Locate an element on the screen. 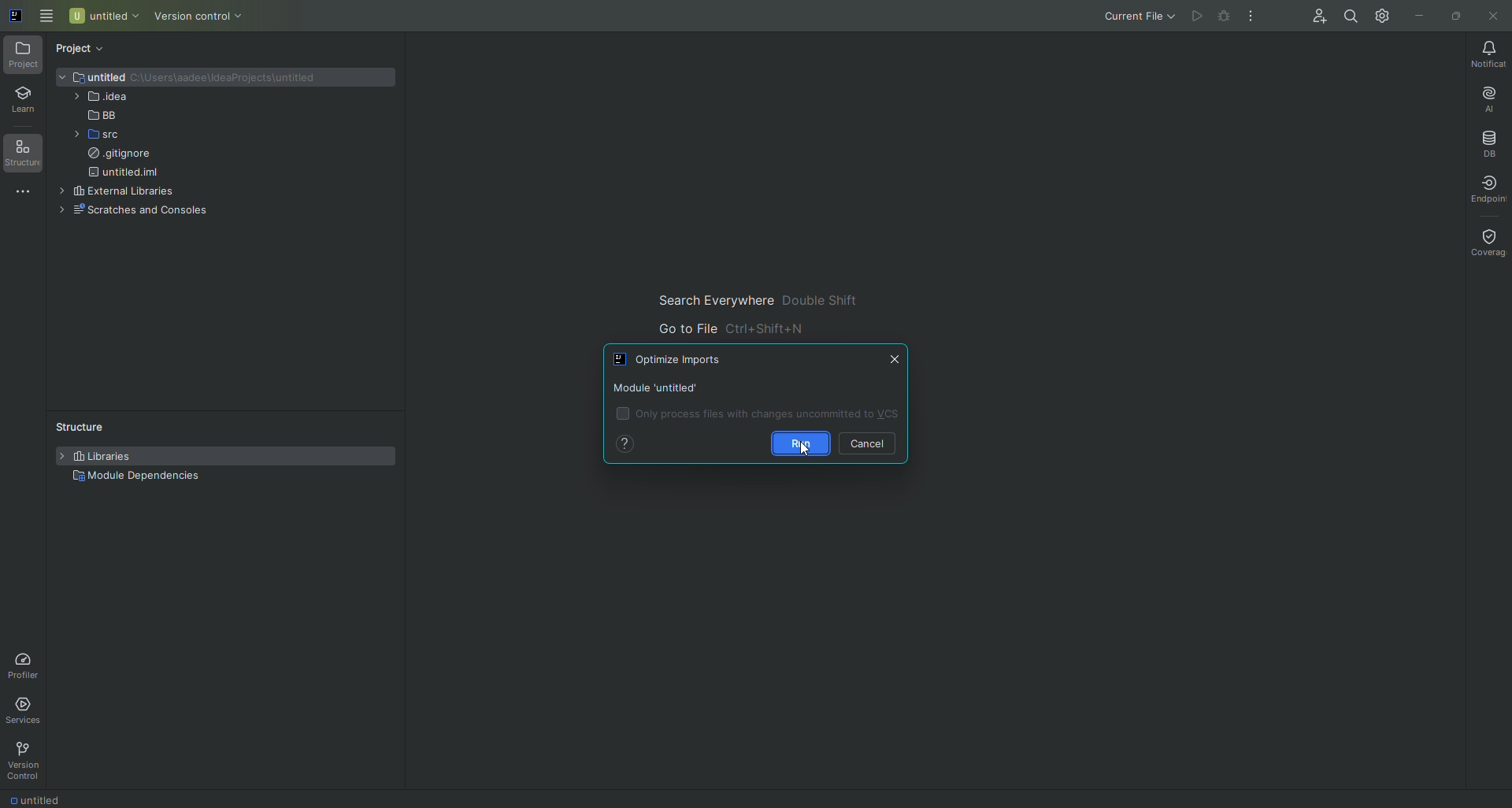 The height and width of the screenshot is (808, 1512). Code With Me is located at coordinates (1310, 17).